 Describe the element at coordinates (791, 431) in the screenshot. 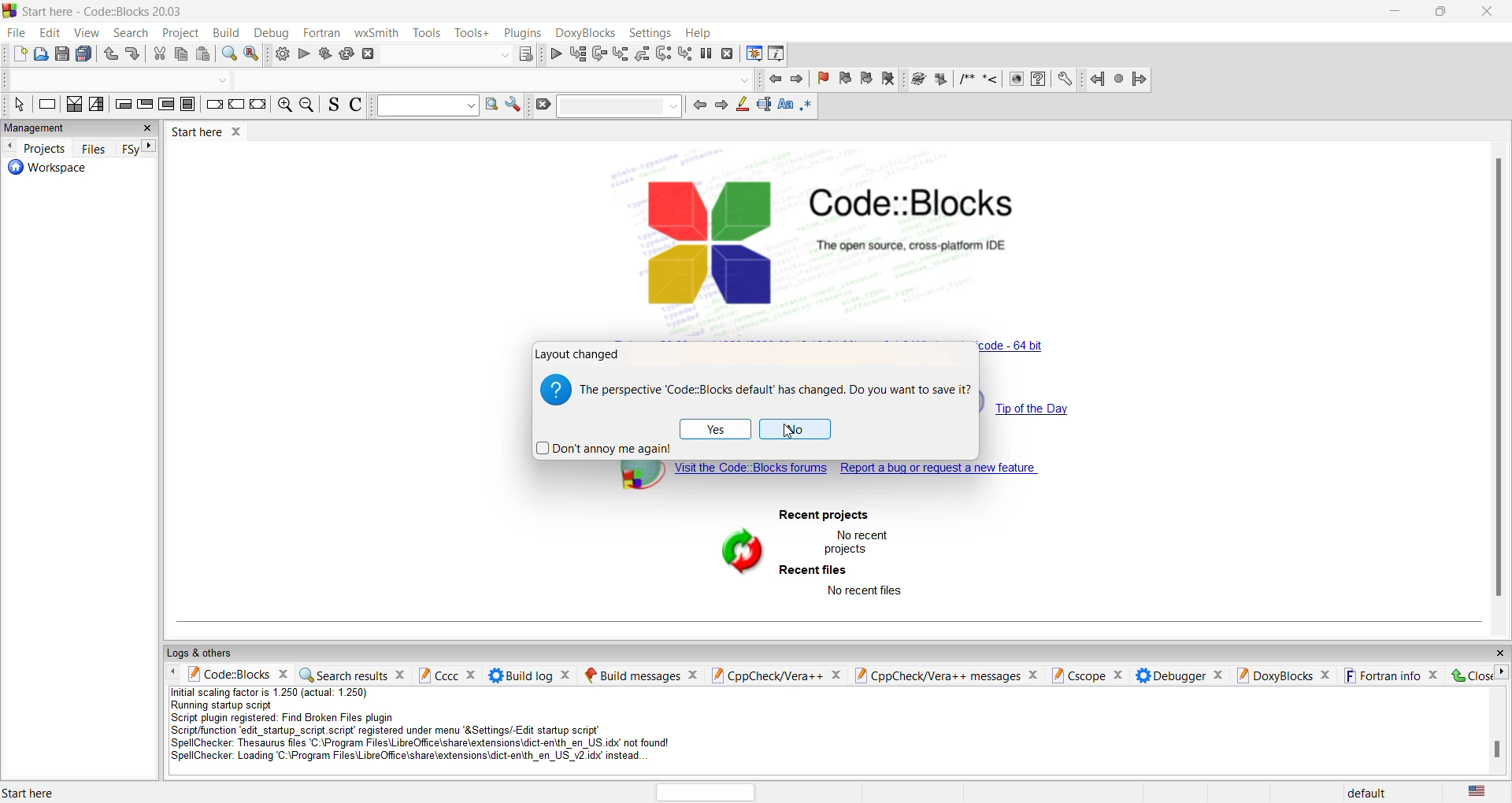

I see `cursor` at that location.